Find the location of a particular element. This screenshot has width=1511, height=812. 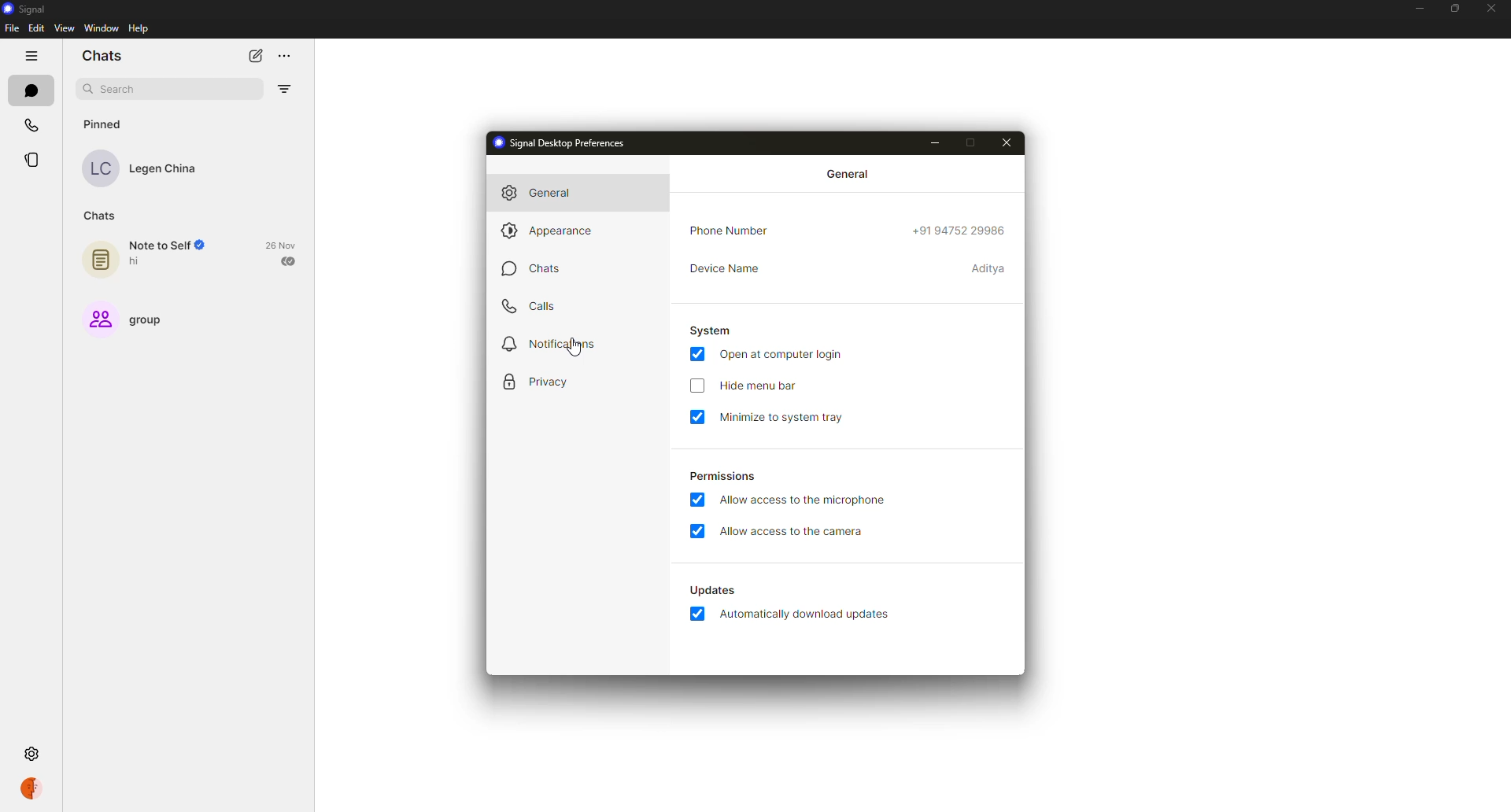

close is located at coordinates (1010, 142).